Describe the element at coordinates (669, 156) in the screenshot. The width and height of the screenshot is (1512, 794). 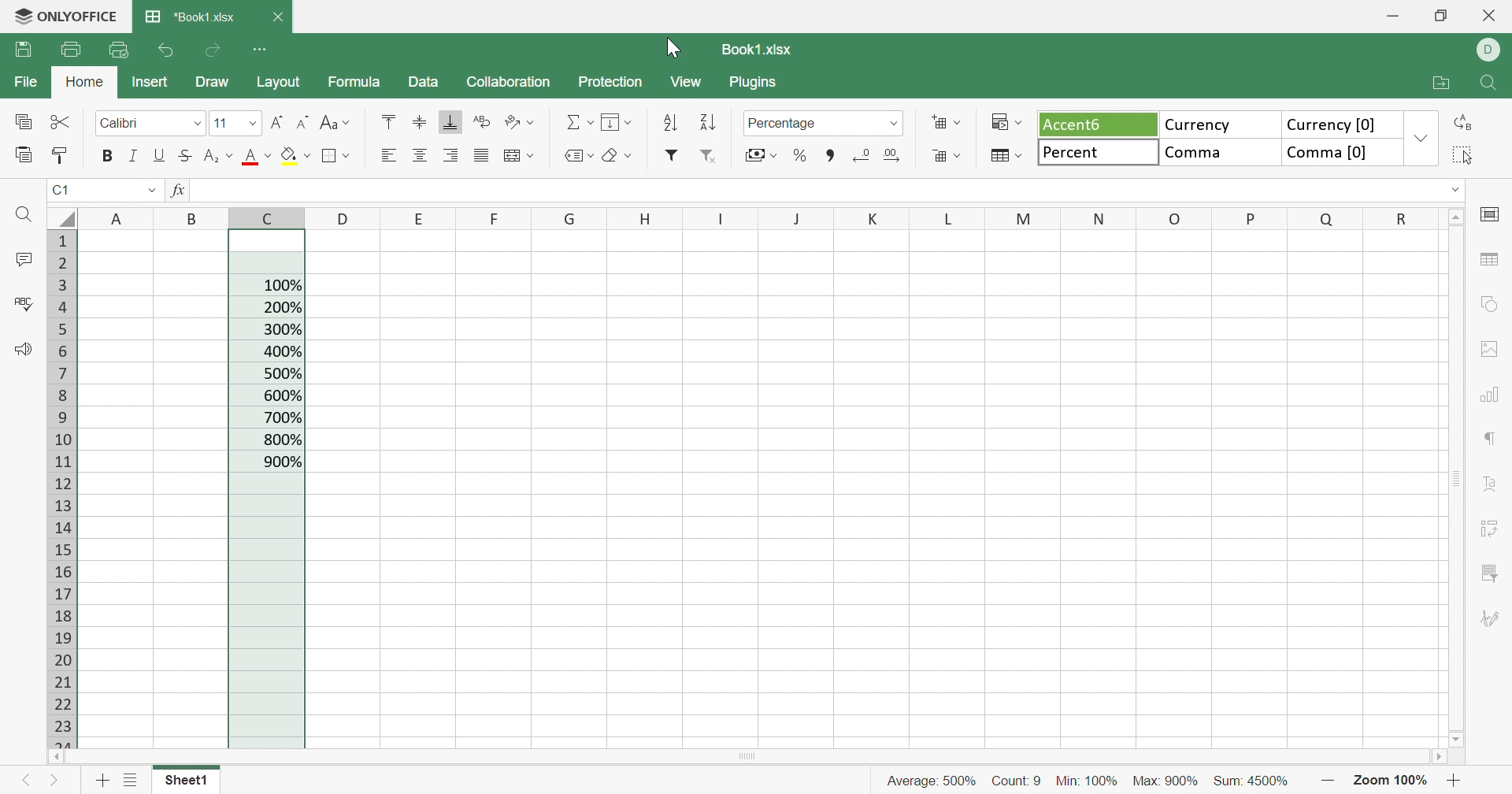
I see `Filter` at that location.